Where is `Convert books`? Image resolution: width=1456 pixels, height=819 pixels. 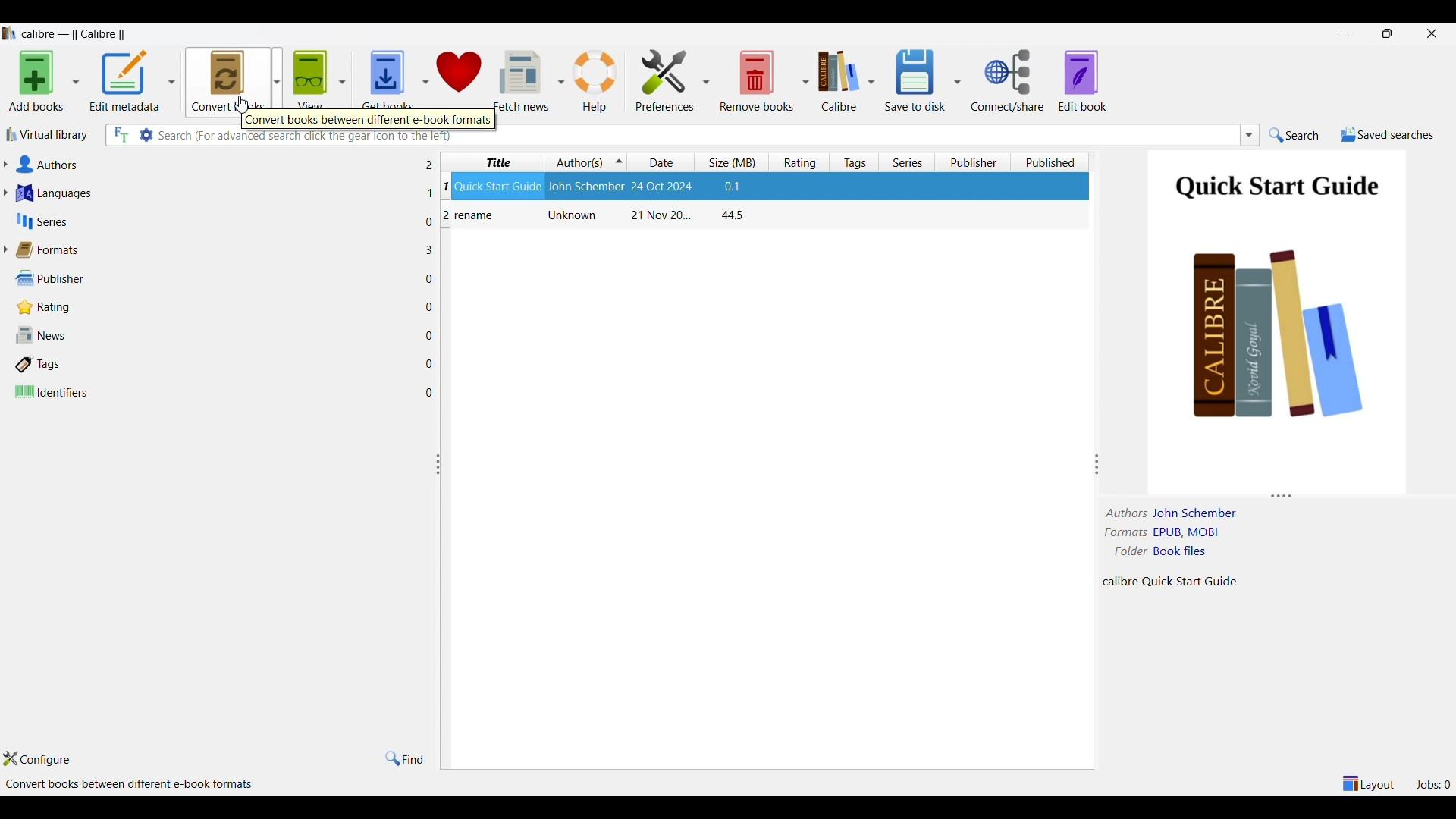
Convert books is located at coordinates (228, 81).